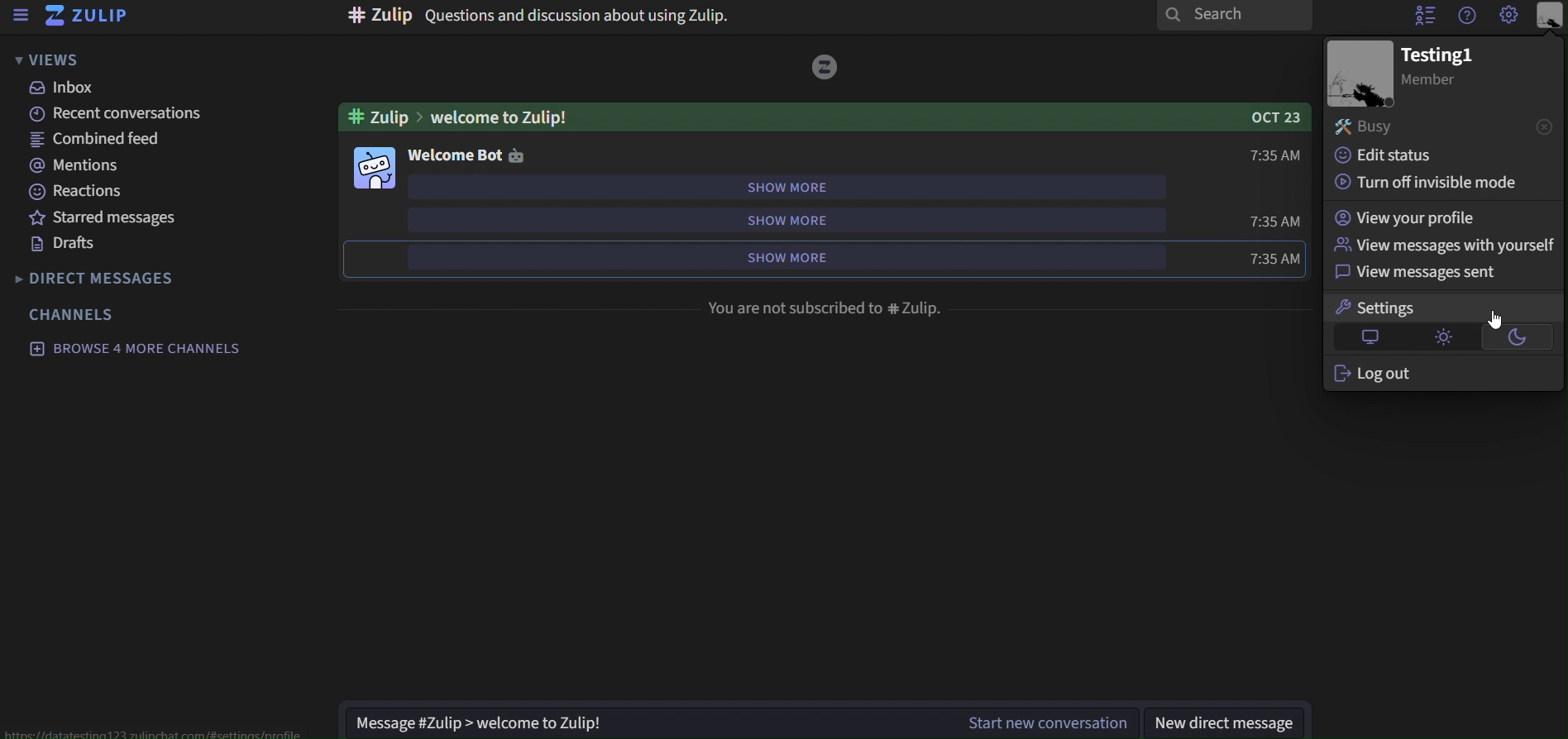 The image size is (1568, 739). Describe the element at coordinates (1466, 17) in the screenshot. I see `get help` at that location.